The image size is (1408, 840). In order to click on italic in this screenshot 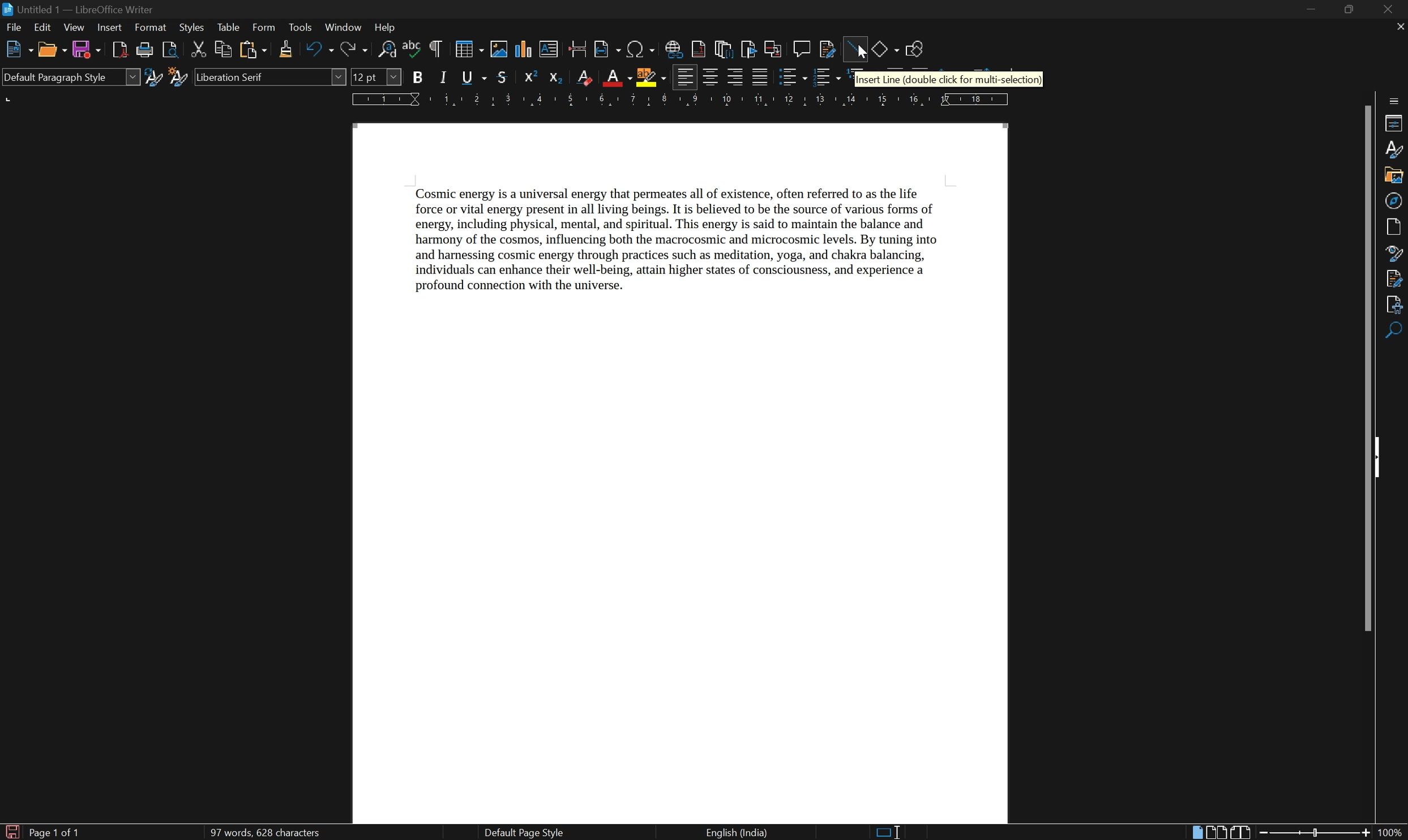, I will do `click(444, 78)`.